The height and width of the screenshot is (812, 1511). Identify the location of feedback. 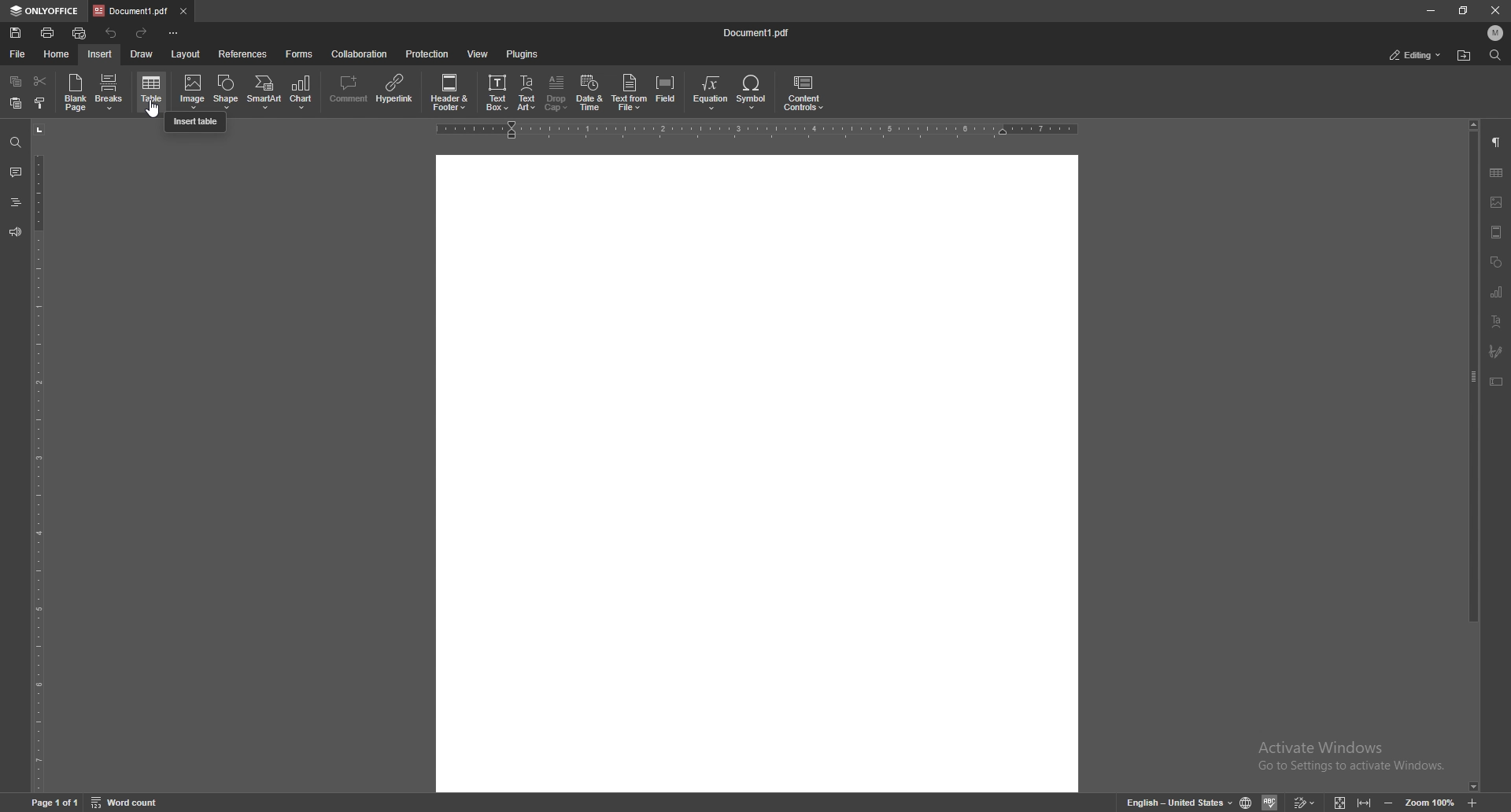
(15, 232).